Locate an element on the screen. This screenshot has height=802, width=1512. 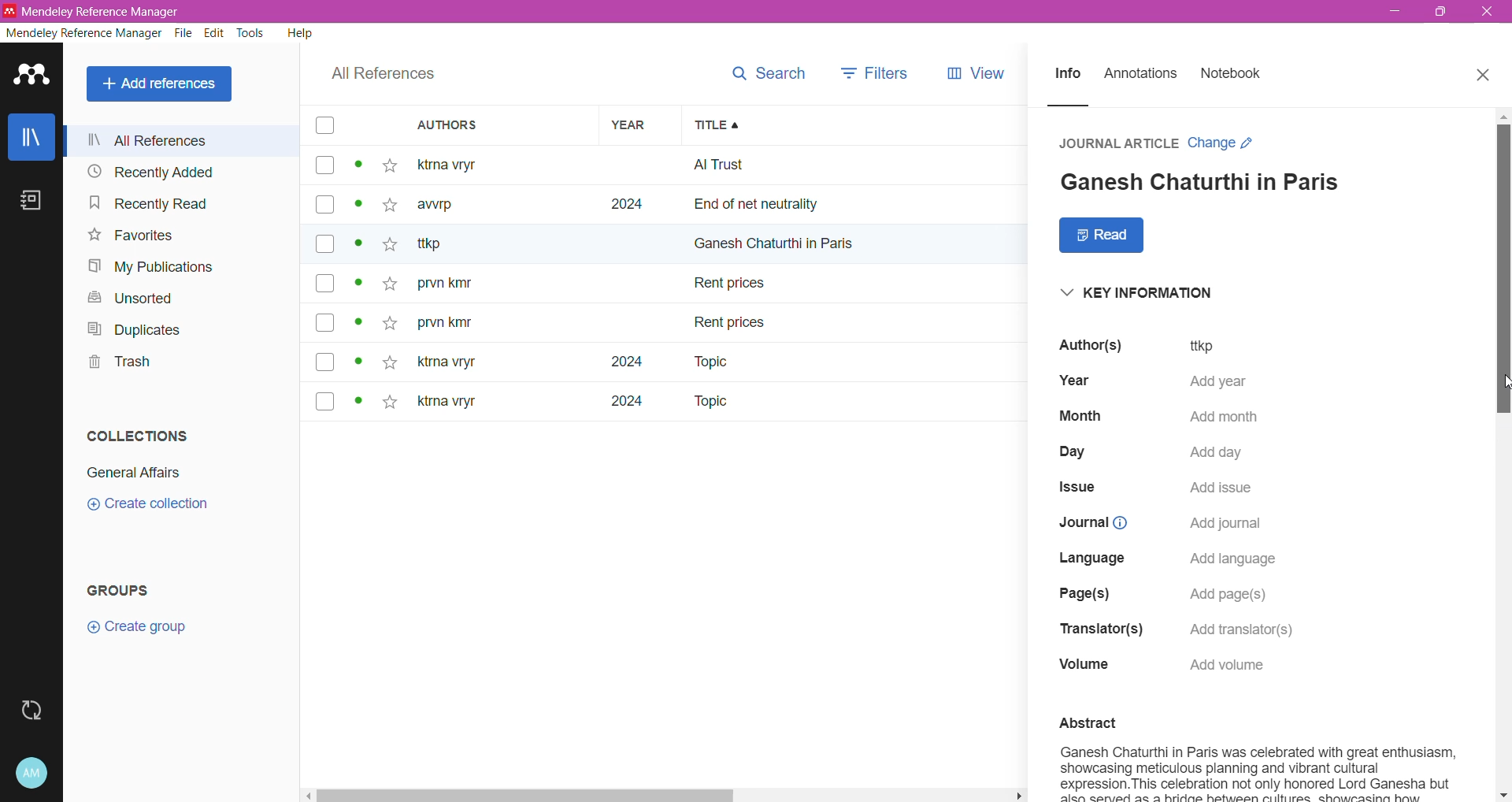
Favorites is located at coordinates (130, 236).